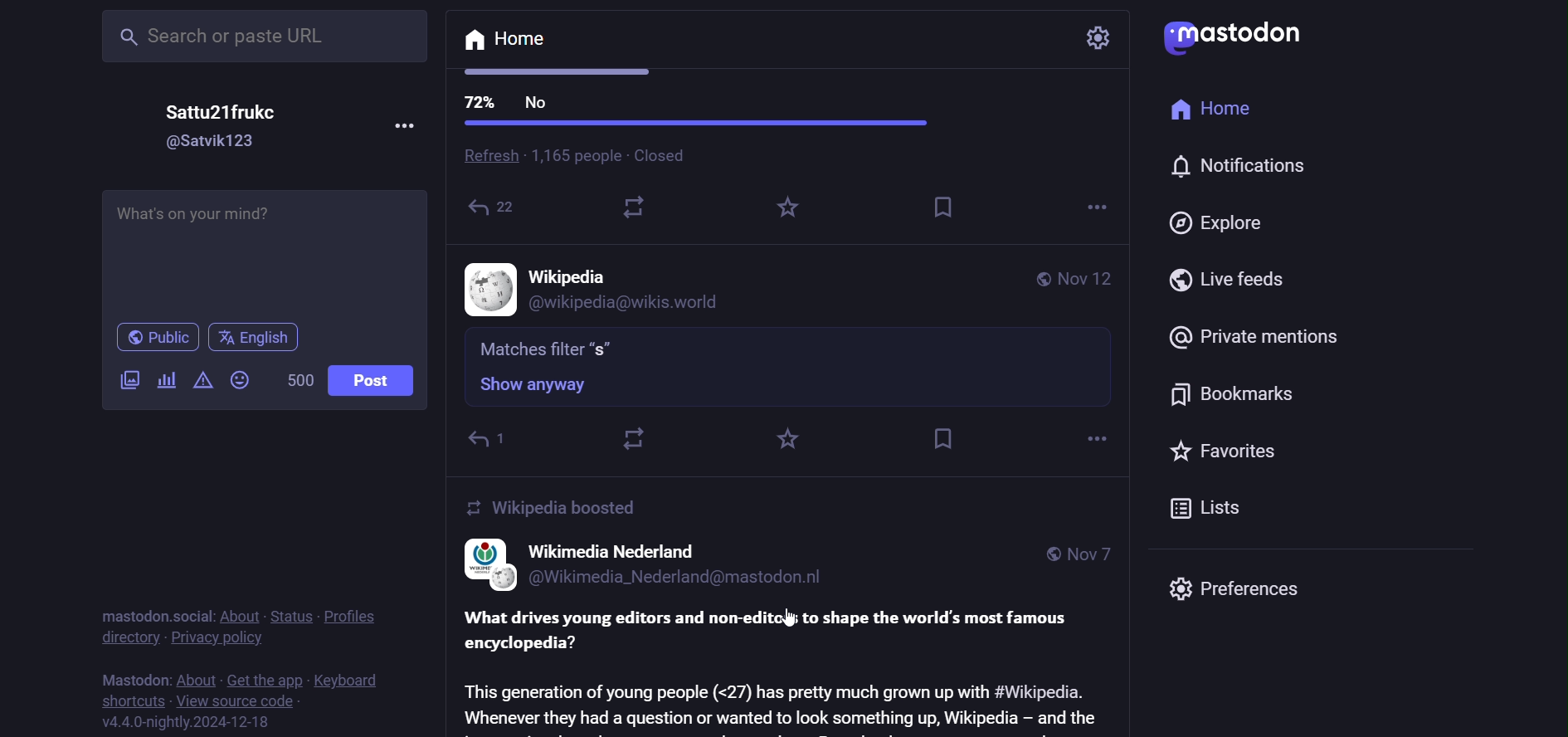  What do you see at coordinates (195, 725) in the screenshot?
I see `version` at bounding box center [195, 725].